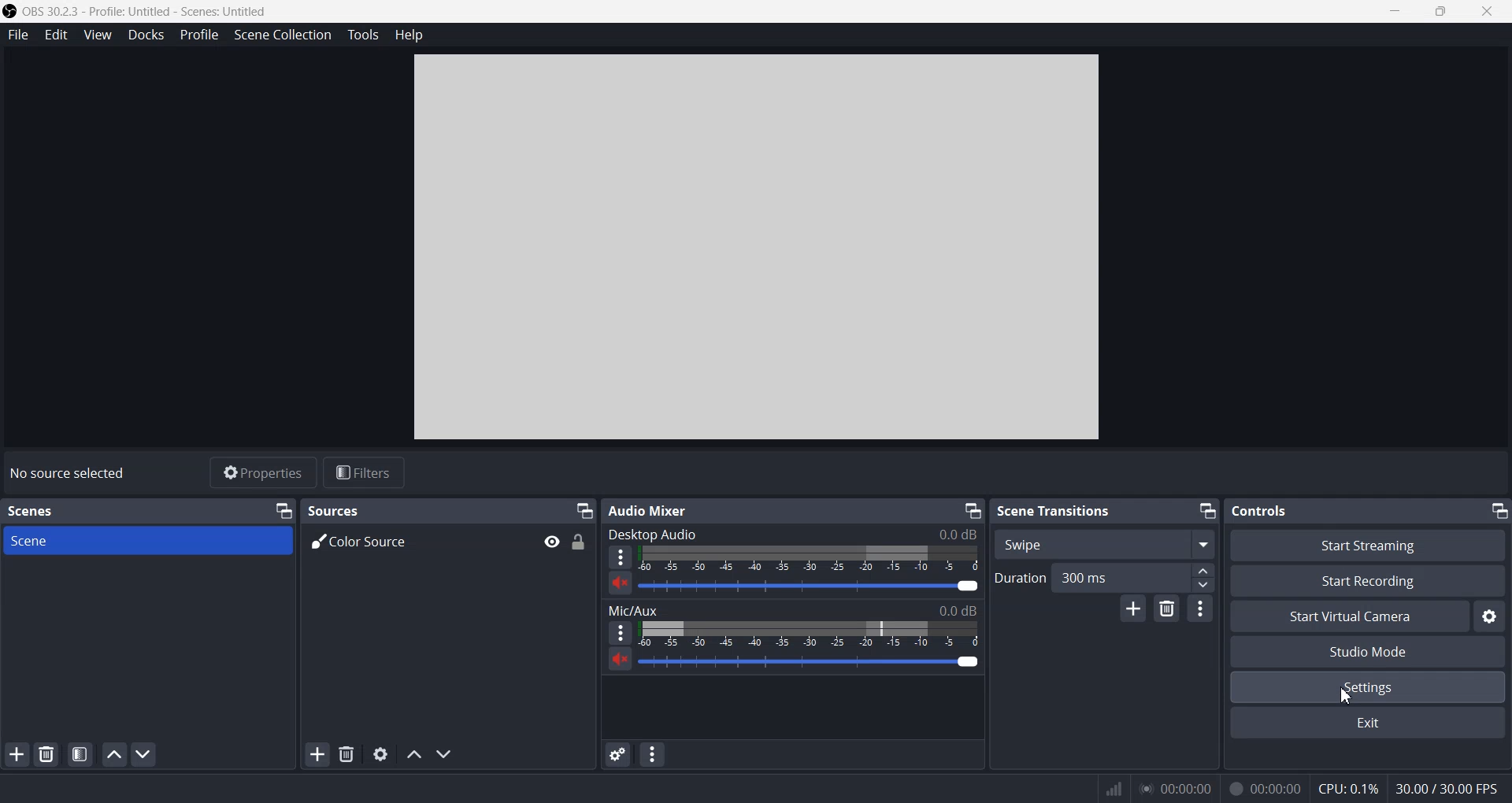 The image size is (1512, 803). I want to click on Move scene down, so click(143, 754).